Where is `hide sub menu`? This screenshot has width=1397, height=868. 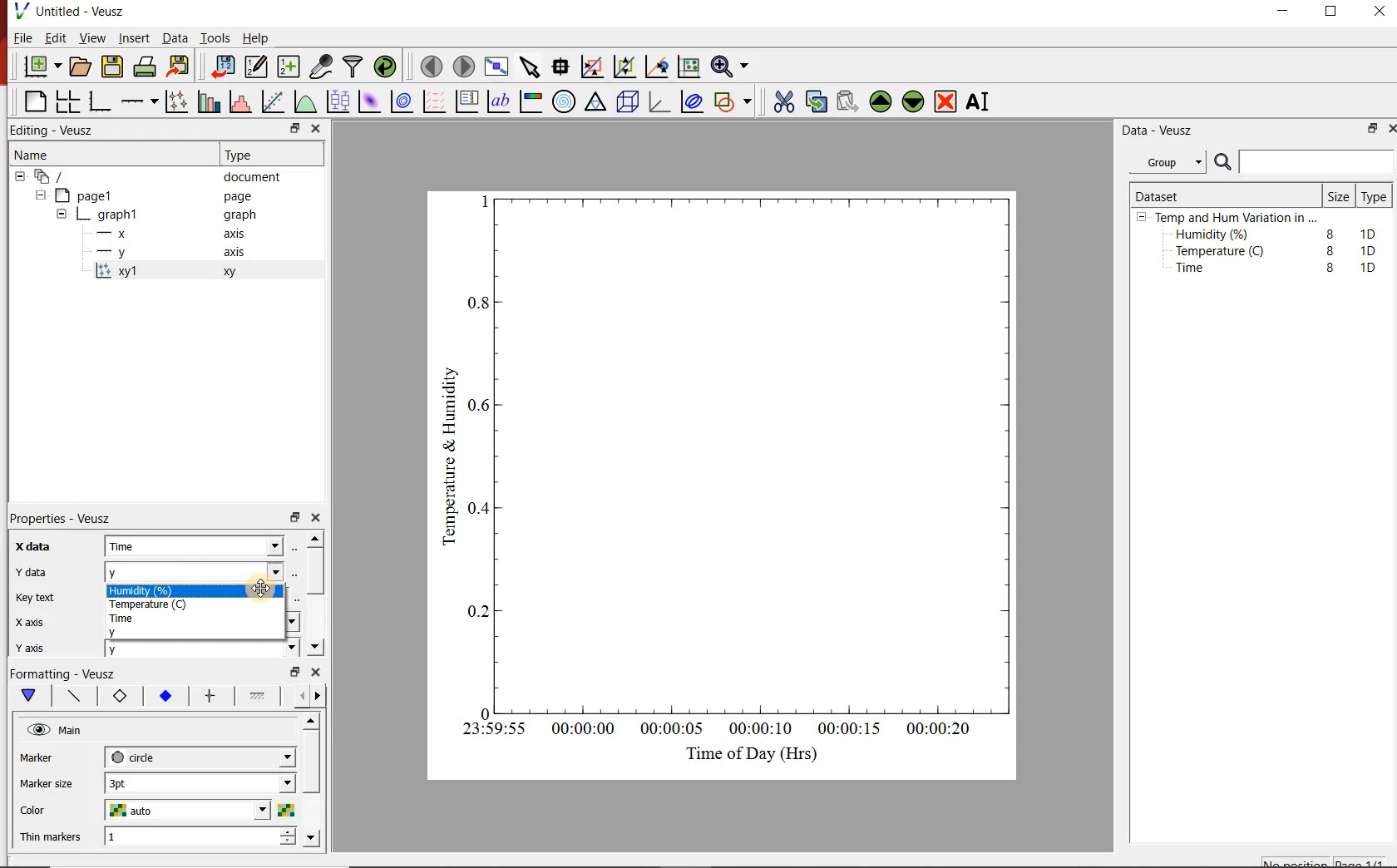 hide sub menu is located at coordinates (18, 179).